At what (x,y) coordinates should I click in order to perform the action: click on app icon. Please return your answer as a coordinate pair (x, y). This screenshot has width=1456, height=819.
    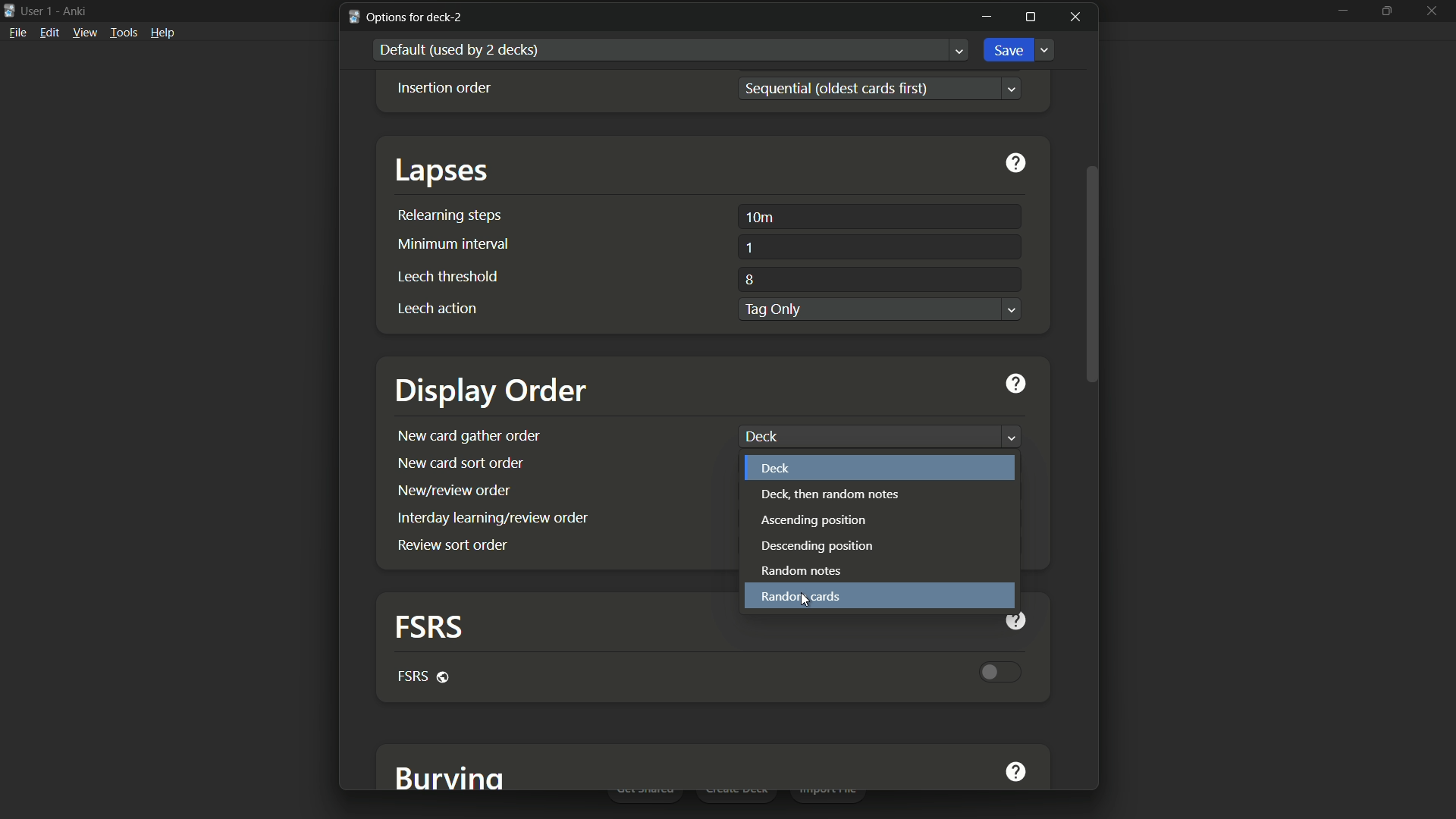
    Looking at the image, I should click on (9, 10).